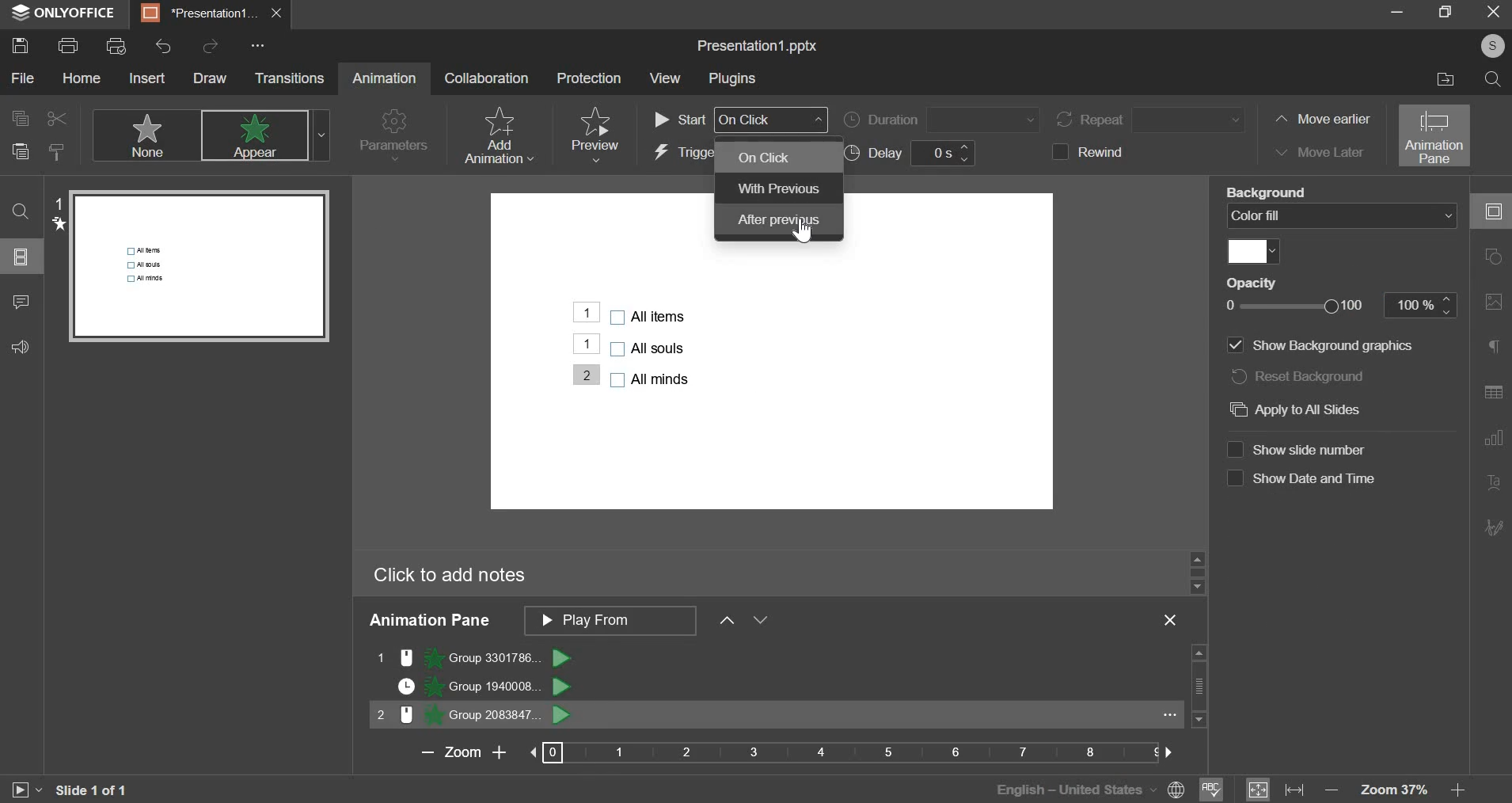 This screenshot has height=803, width=1512. Describe the element at coordinates (1305, 409) in the screenshot. I see `apply to all slides` at that location.